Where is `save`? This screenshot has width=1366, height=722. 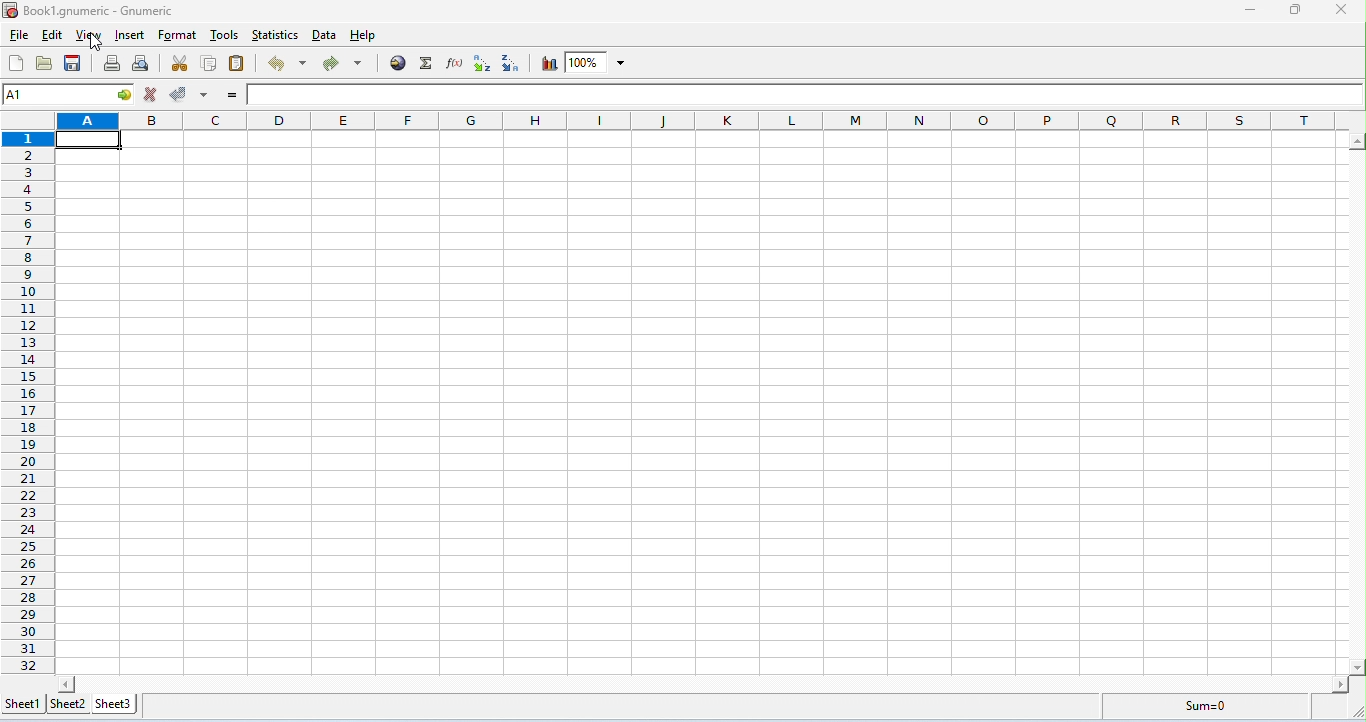 save is located at coordinates (73, 63).